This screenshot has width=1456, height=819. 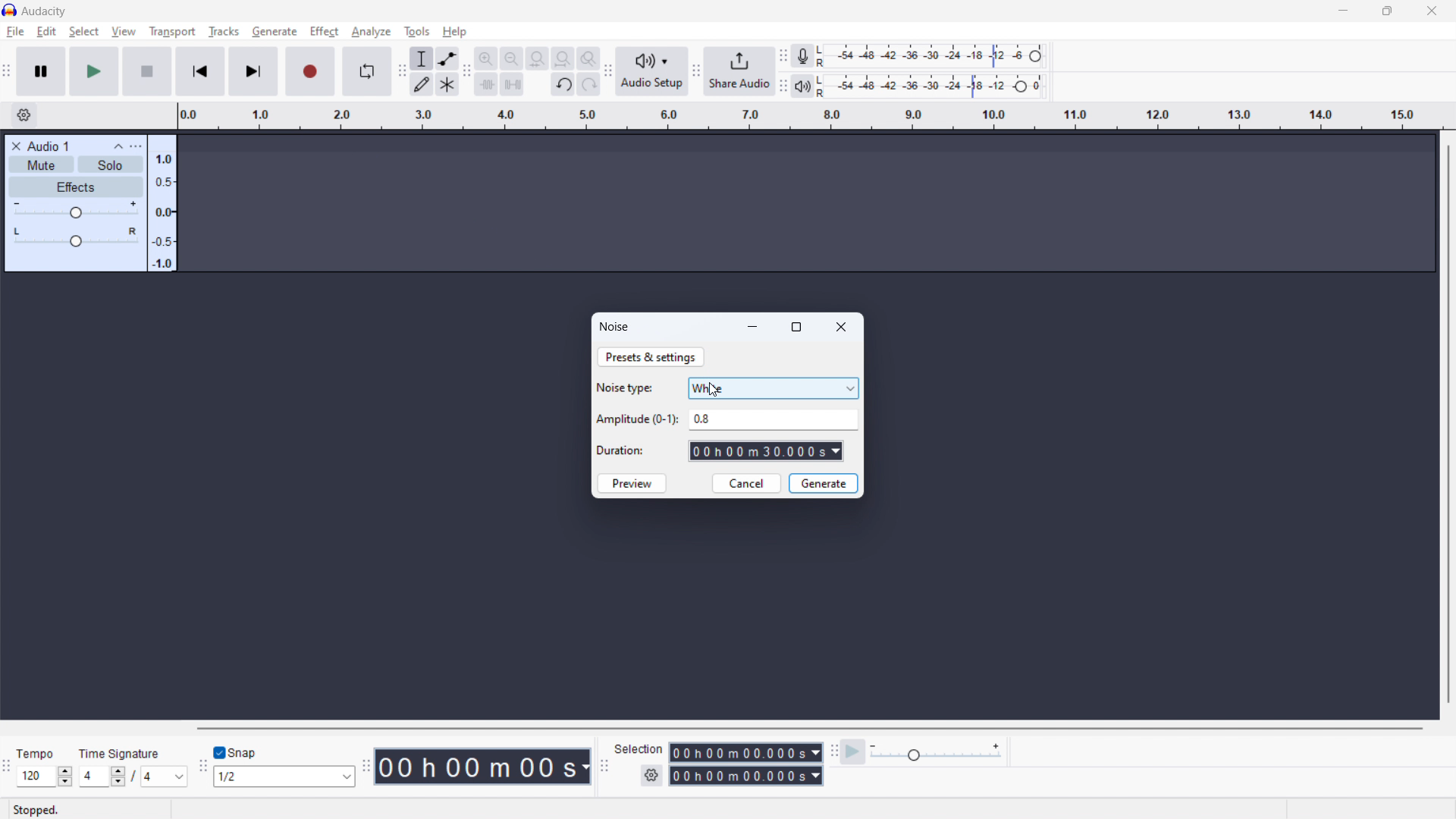 What do you see at coordinates (1449, 422) in the screenshot?
I see `vertical scrollbar` at bounding box center [1449, 422].